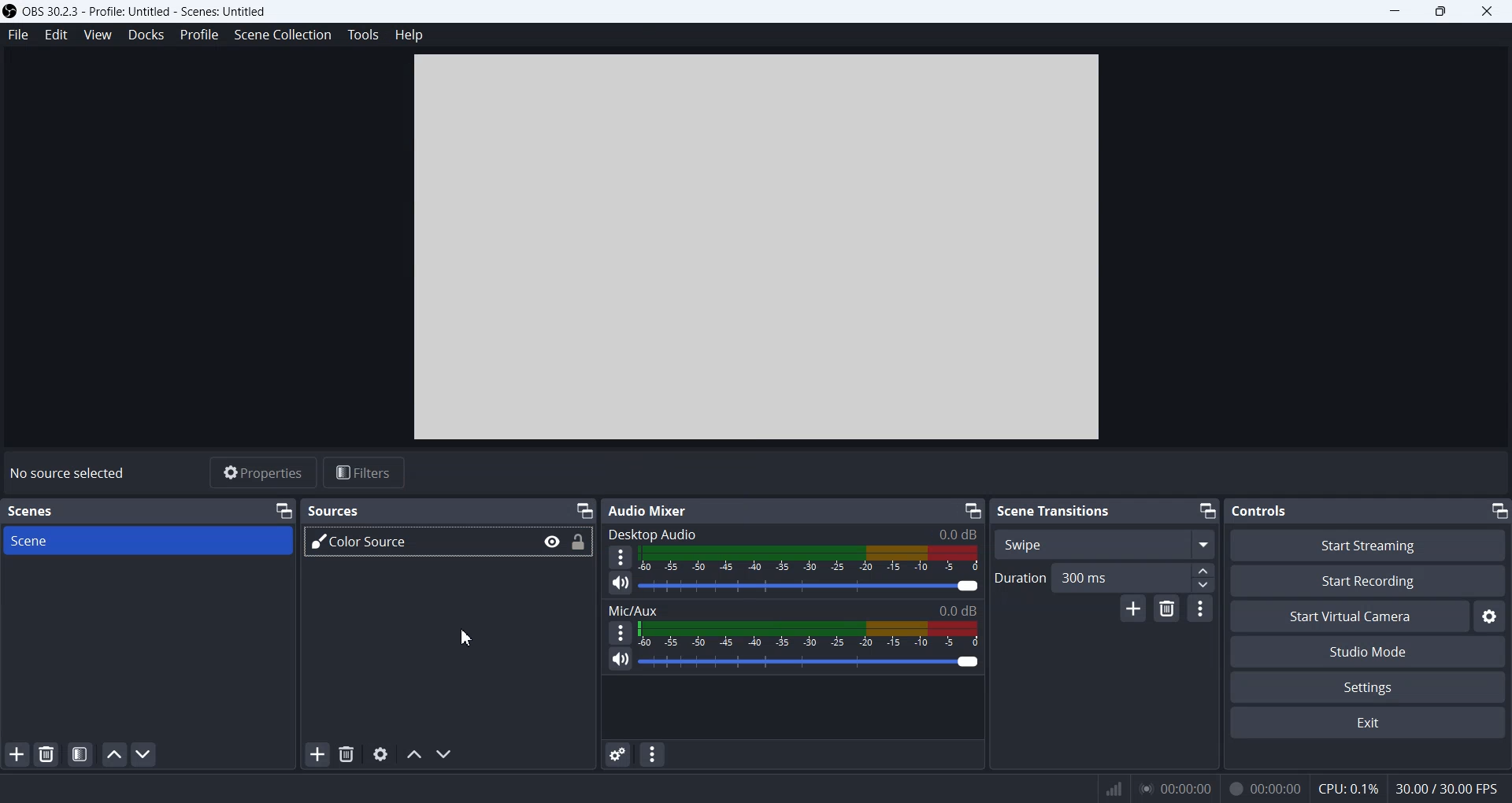 The image size is (1512, 803). I want to click on Open Source Properties, so click(380, 754).